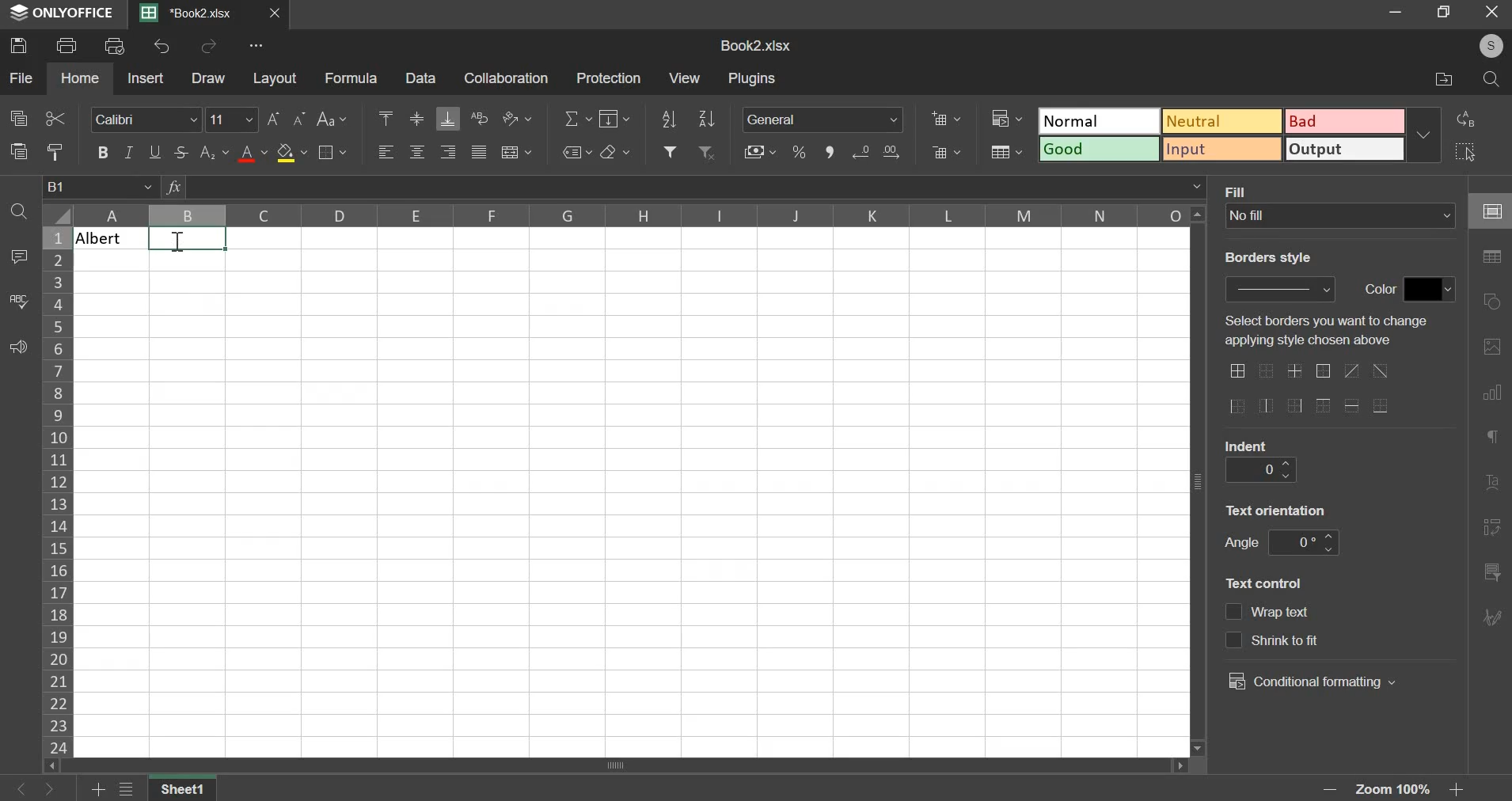 This screenshot has height=801, width=1512. Describe the element at coordinates (1488, 44) in the screenshot. I see `user's account` at that location.